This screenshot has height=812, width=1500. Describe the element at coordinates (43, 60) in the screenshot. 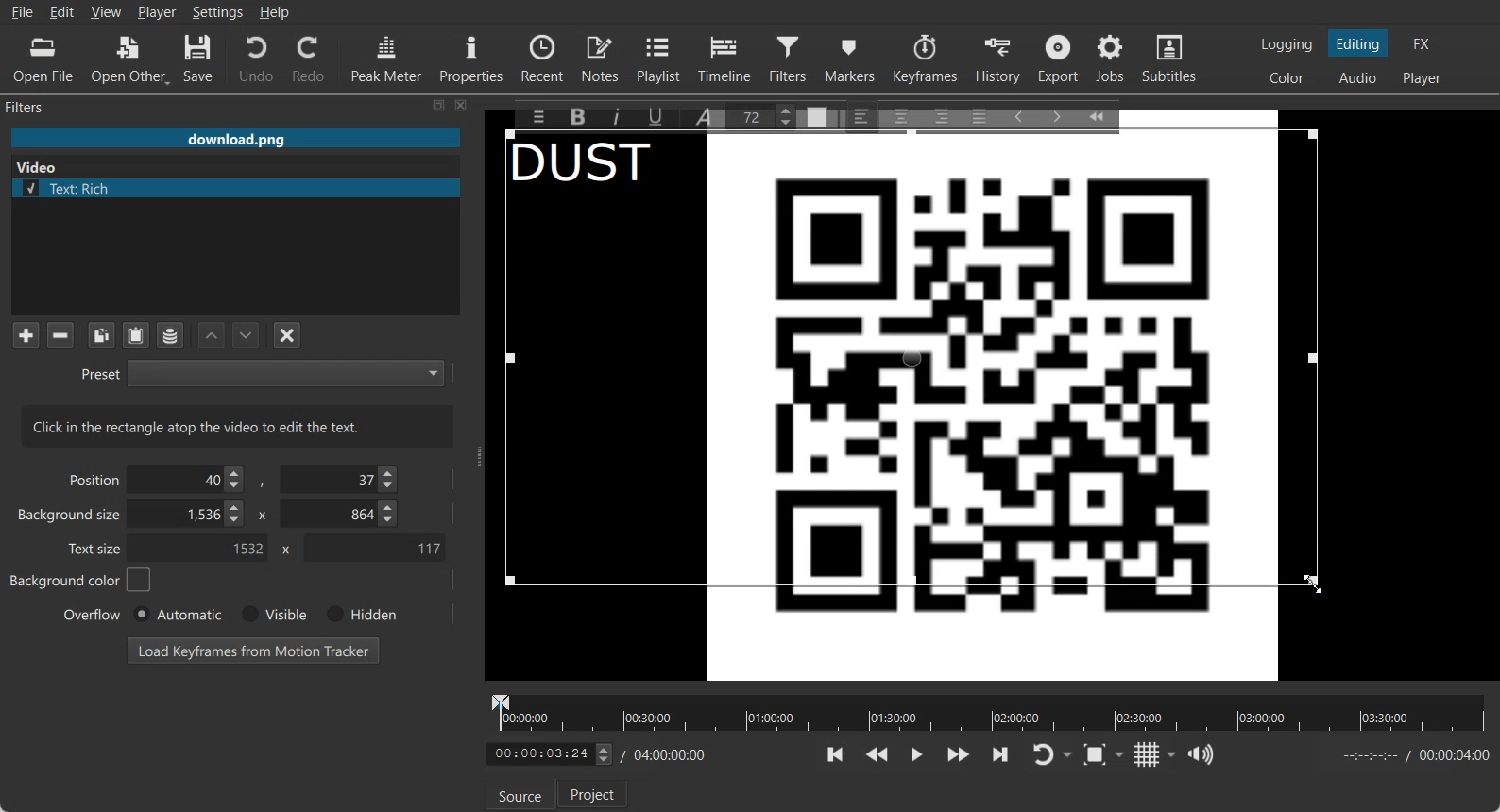

I see `Open File` at that location.